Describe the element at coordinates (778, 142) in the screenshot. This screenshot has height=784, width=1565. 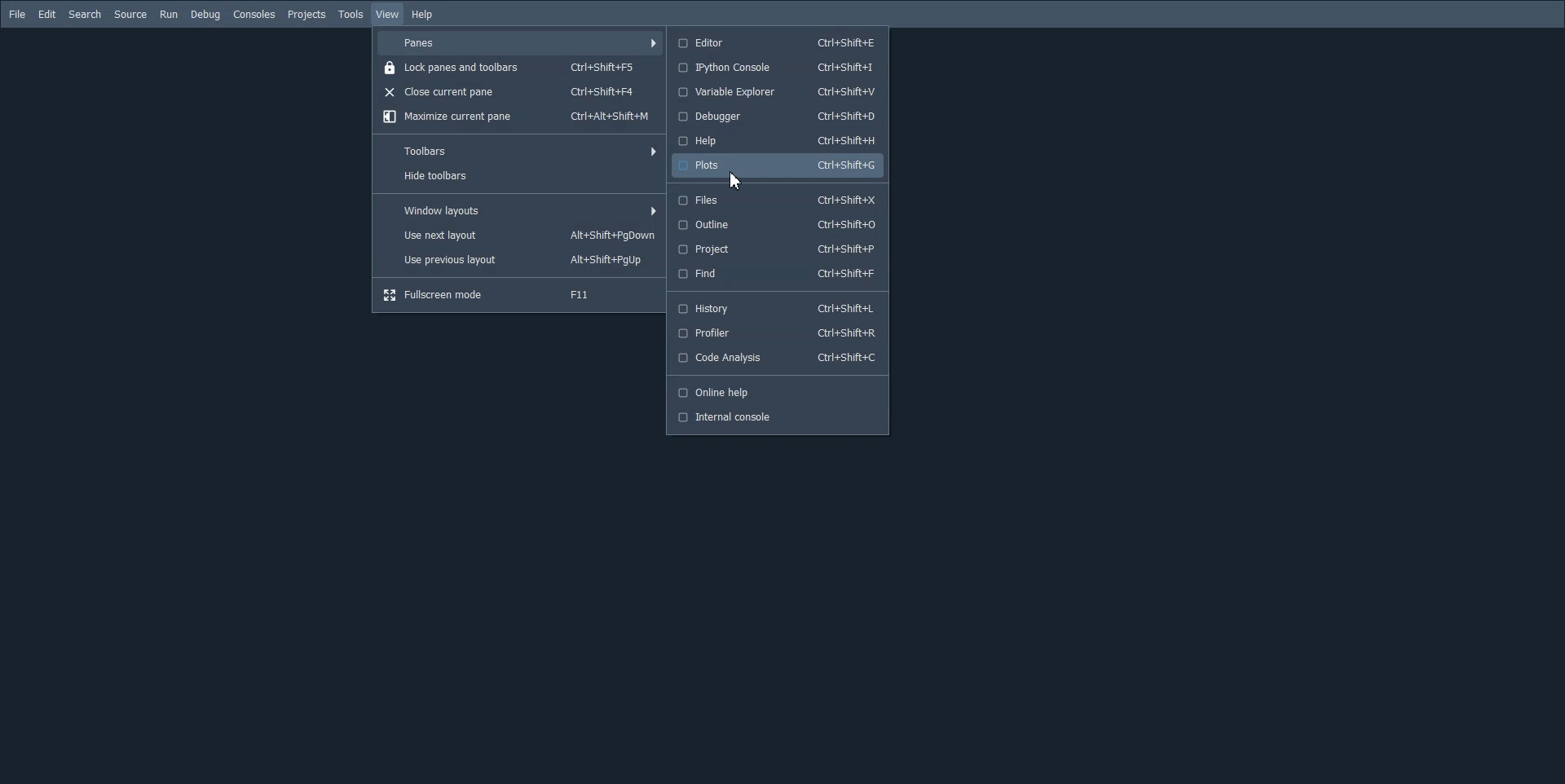
I see `Help` at that location.